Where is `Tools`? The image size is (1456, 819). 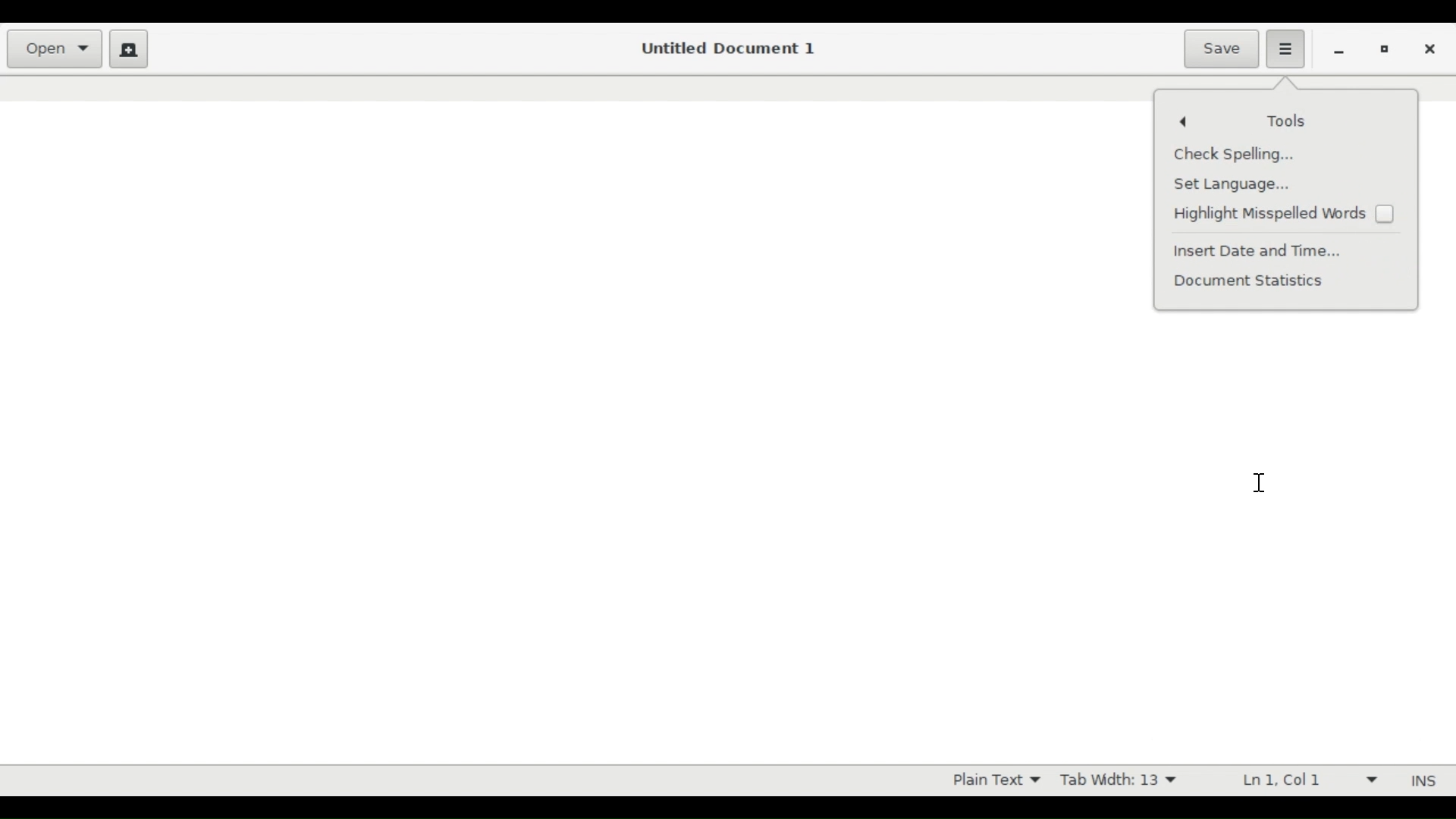 Tools is located at coordinates (1291, 122).